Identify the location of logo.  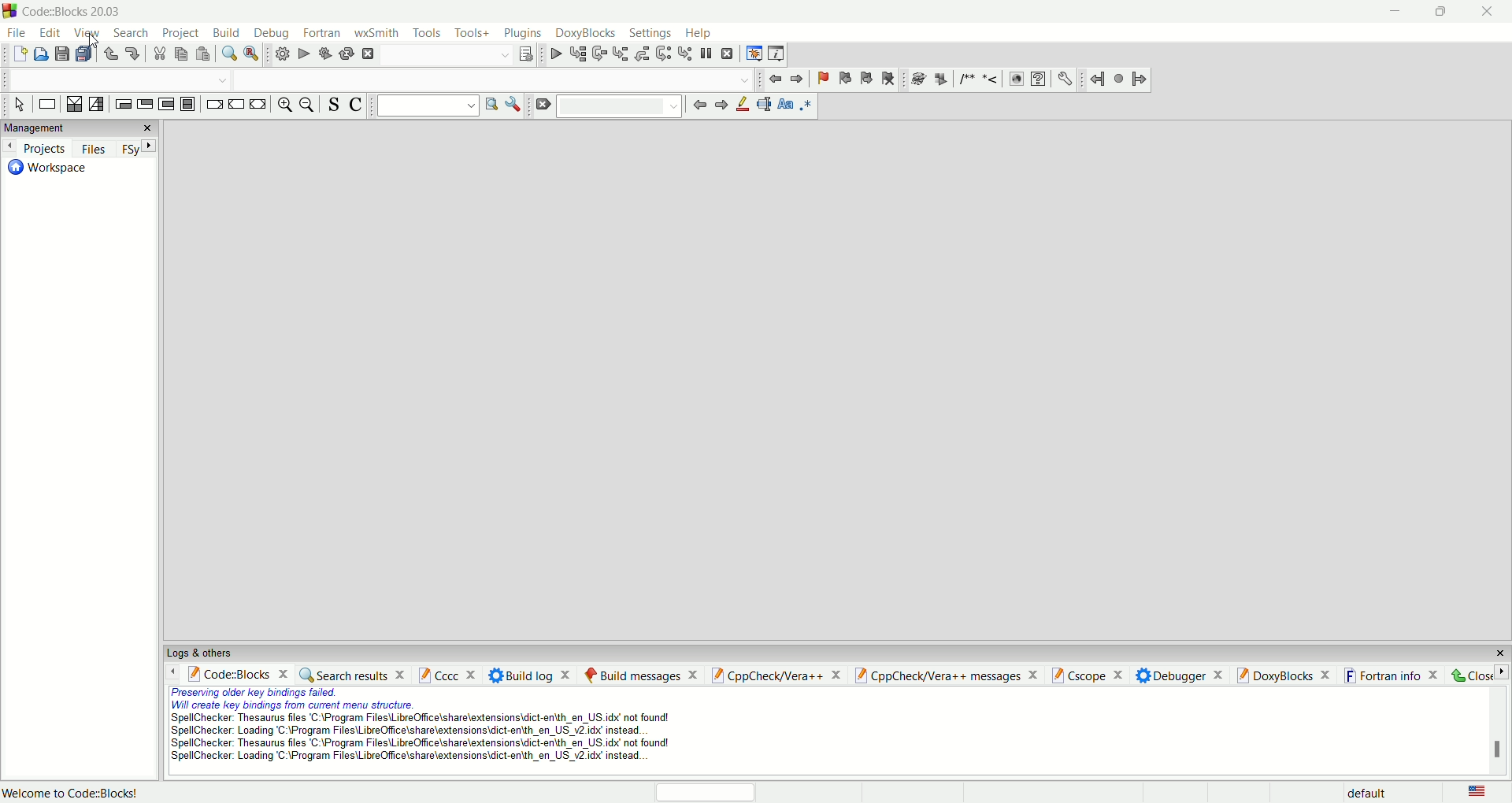
(9, 13).